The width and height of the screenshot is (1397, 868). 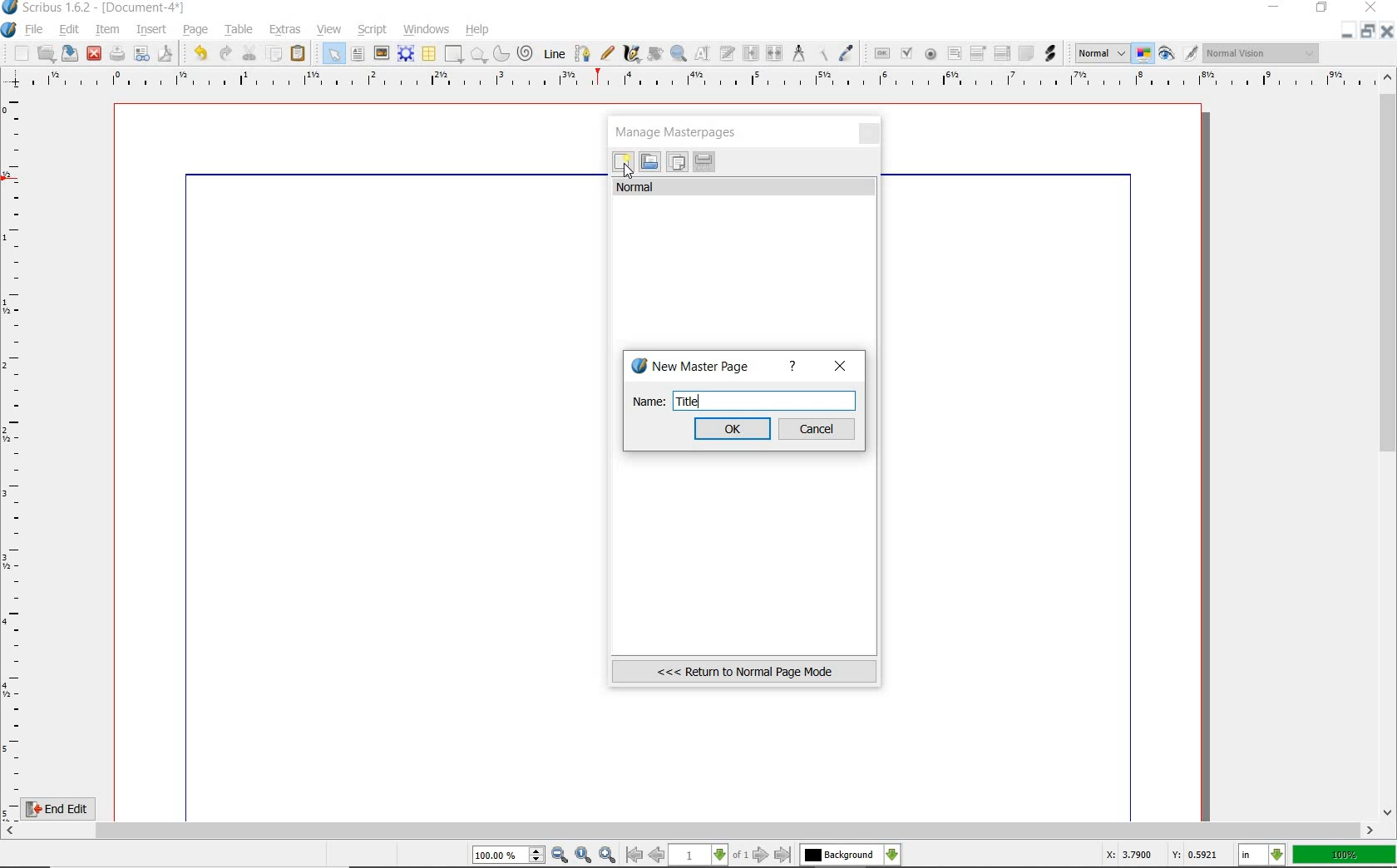 What do you see at coordinates (690, 831) in the screenshot?
I see `scrollbar` at bounding box center [690, 831].